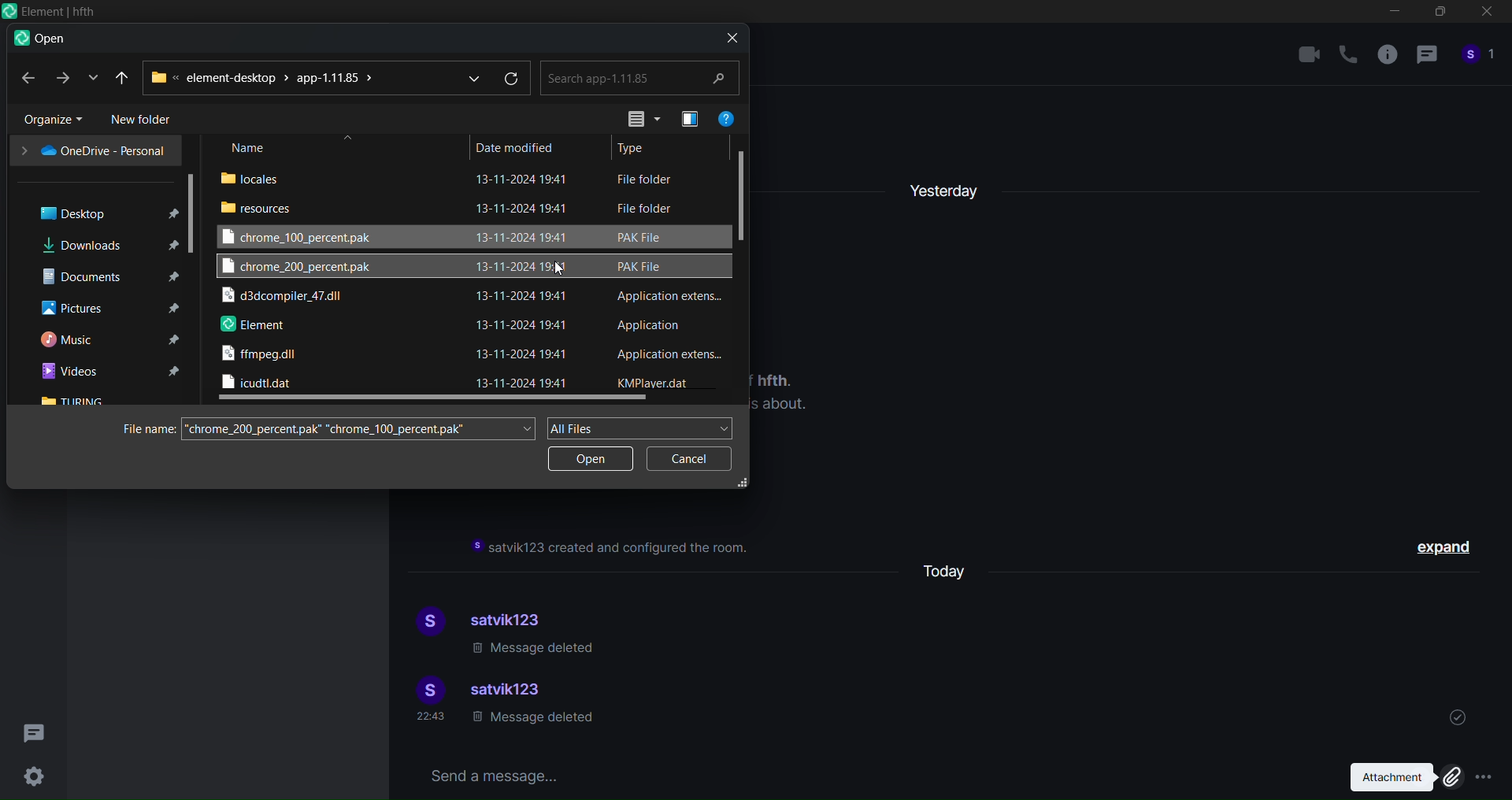  What do you see at coordinates (109, 372) in the screenshot?
I see `videos` at bounding box center [109, 372].